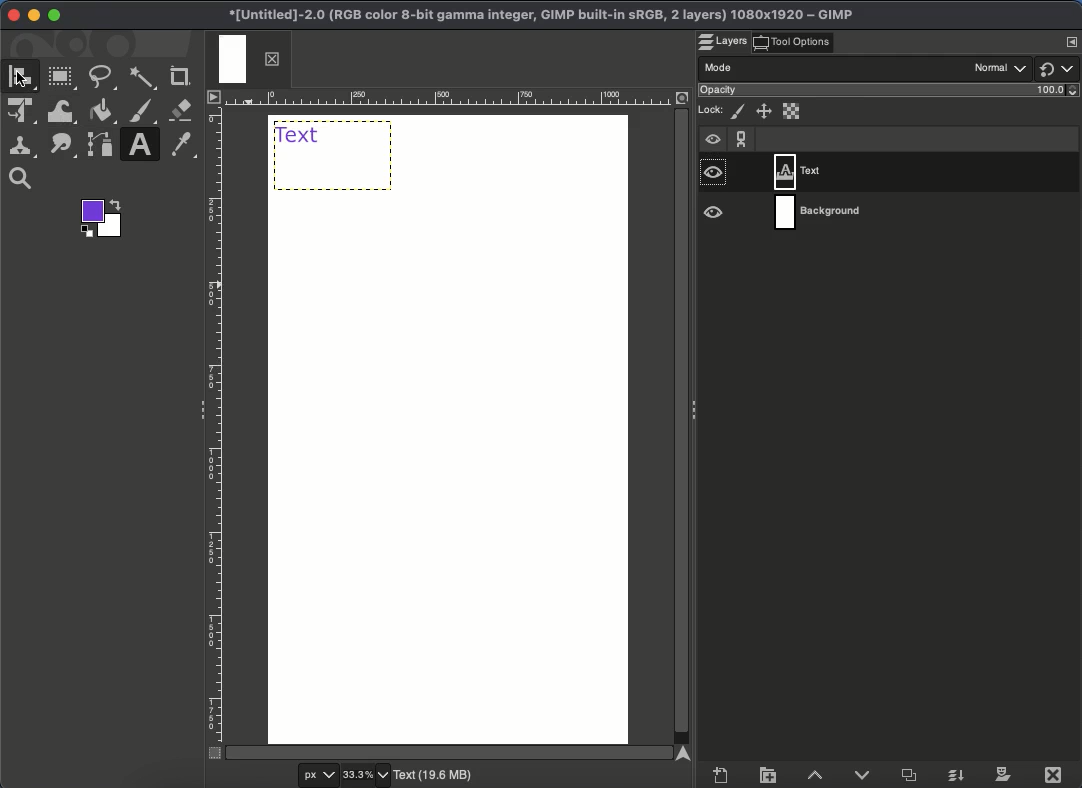  I want to click on Path, so click(99, 147).